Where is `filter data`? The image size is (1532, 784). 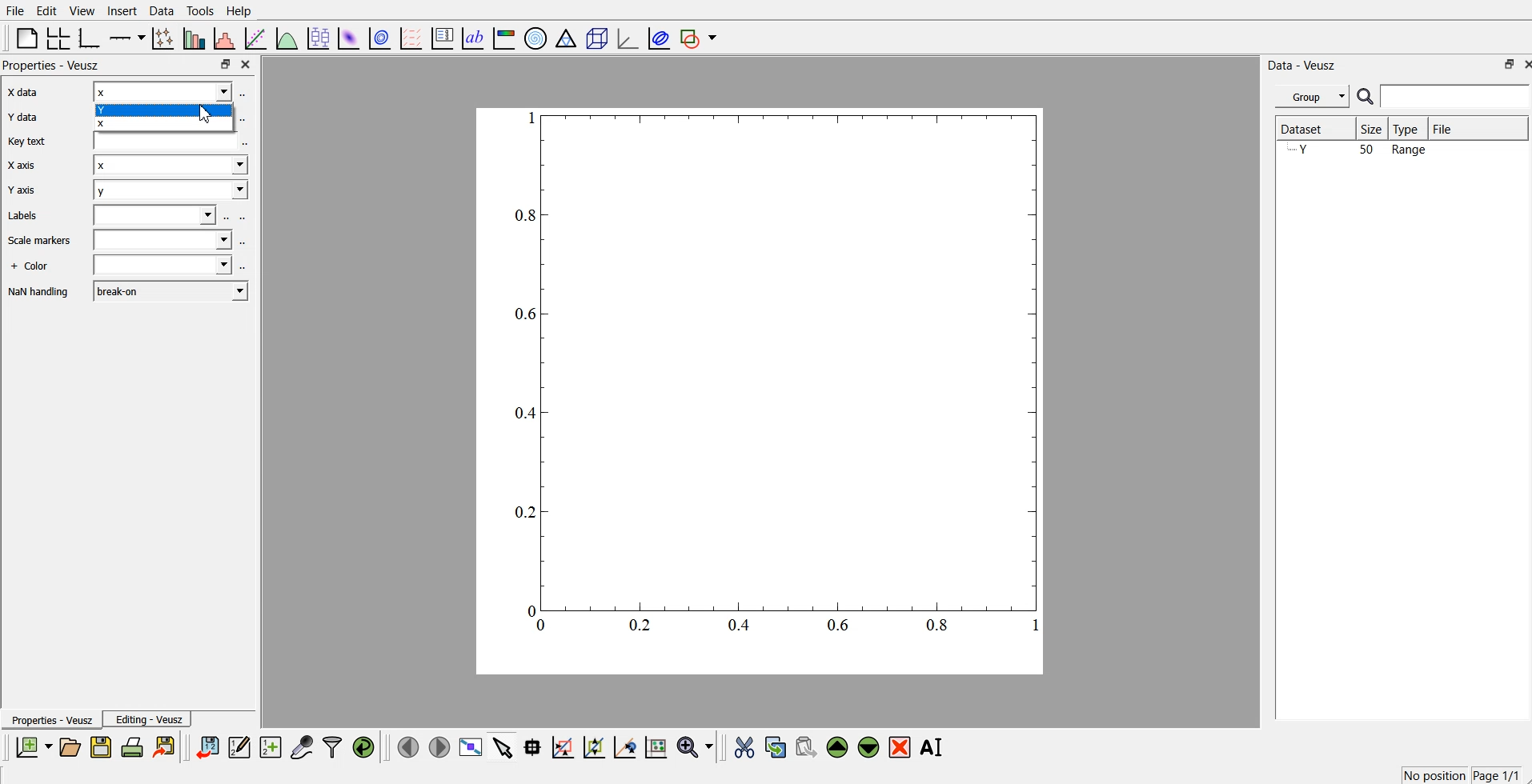 filter data is located at coordinates (332, 747).